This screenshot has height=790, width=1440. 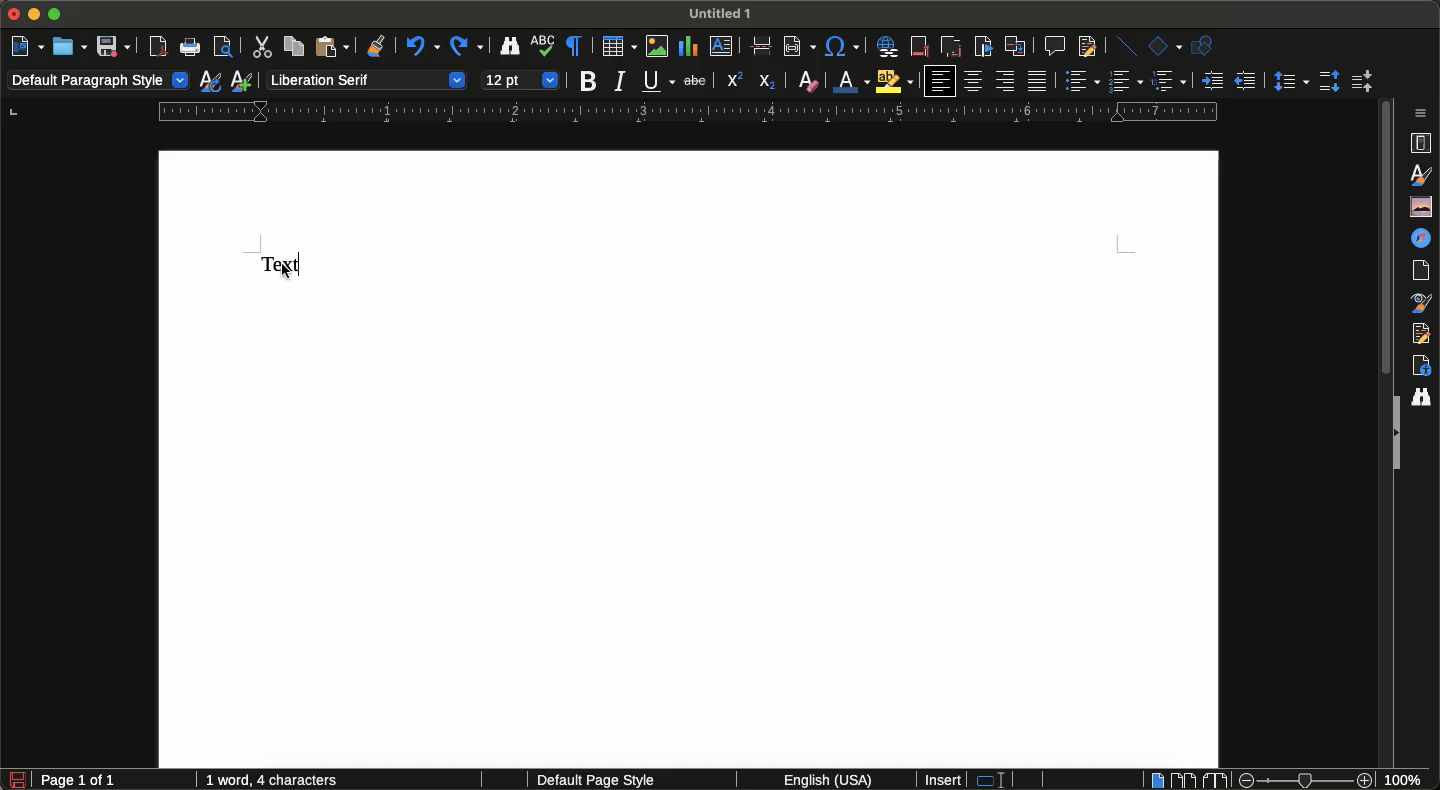 What do you see at coordinates (1078, 81) in the screenshot?
I see `Toggle unordered list` at bounding box center [1078, 81].